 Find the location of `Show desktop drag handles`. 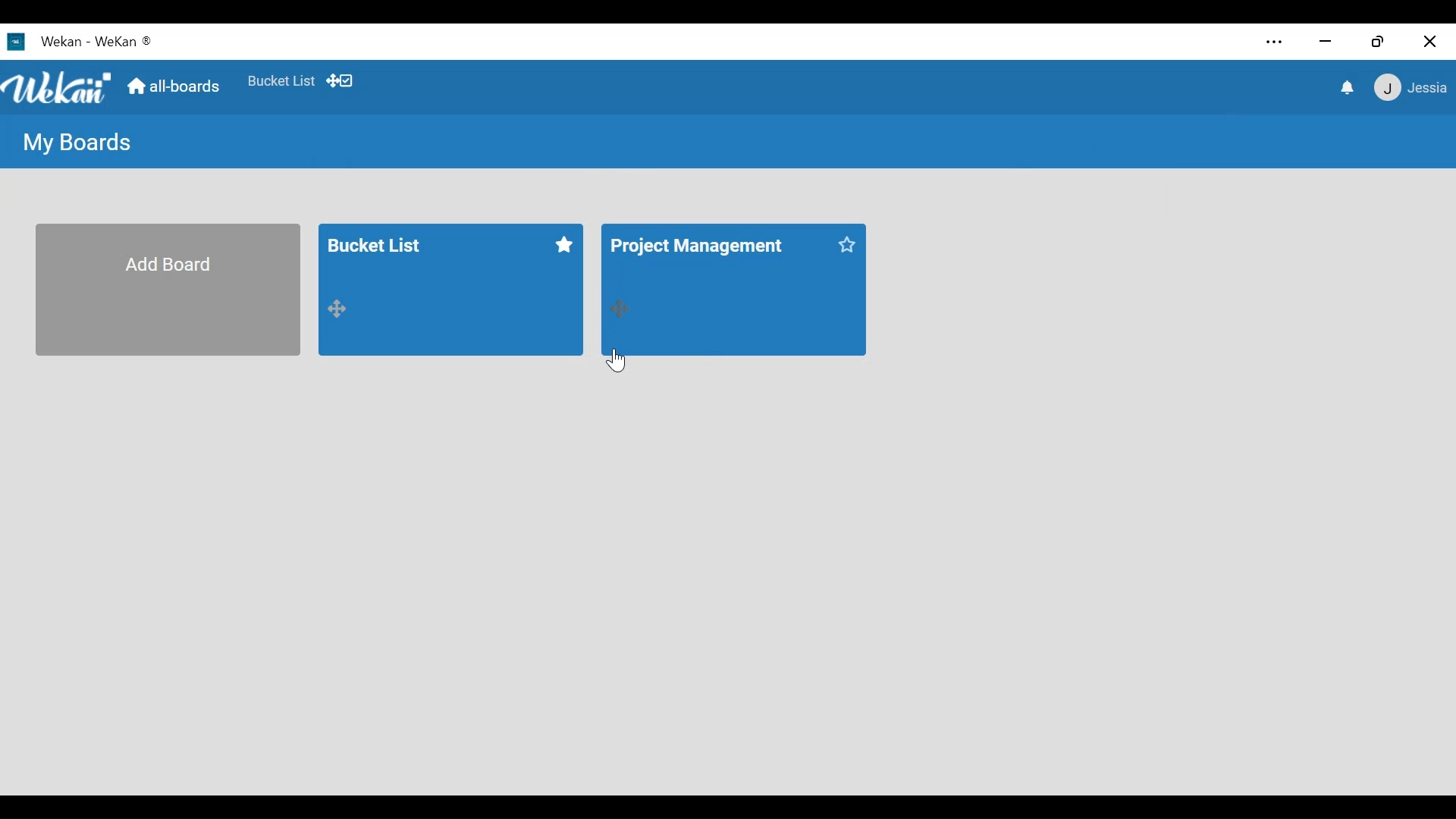

Show desktop drag handles is located at coordinates (343, 81).